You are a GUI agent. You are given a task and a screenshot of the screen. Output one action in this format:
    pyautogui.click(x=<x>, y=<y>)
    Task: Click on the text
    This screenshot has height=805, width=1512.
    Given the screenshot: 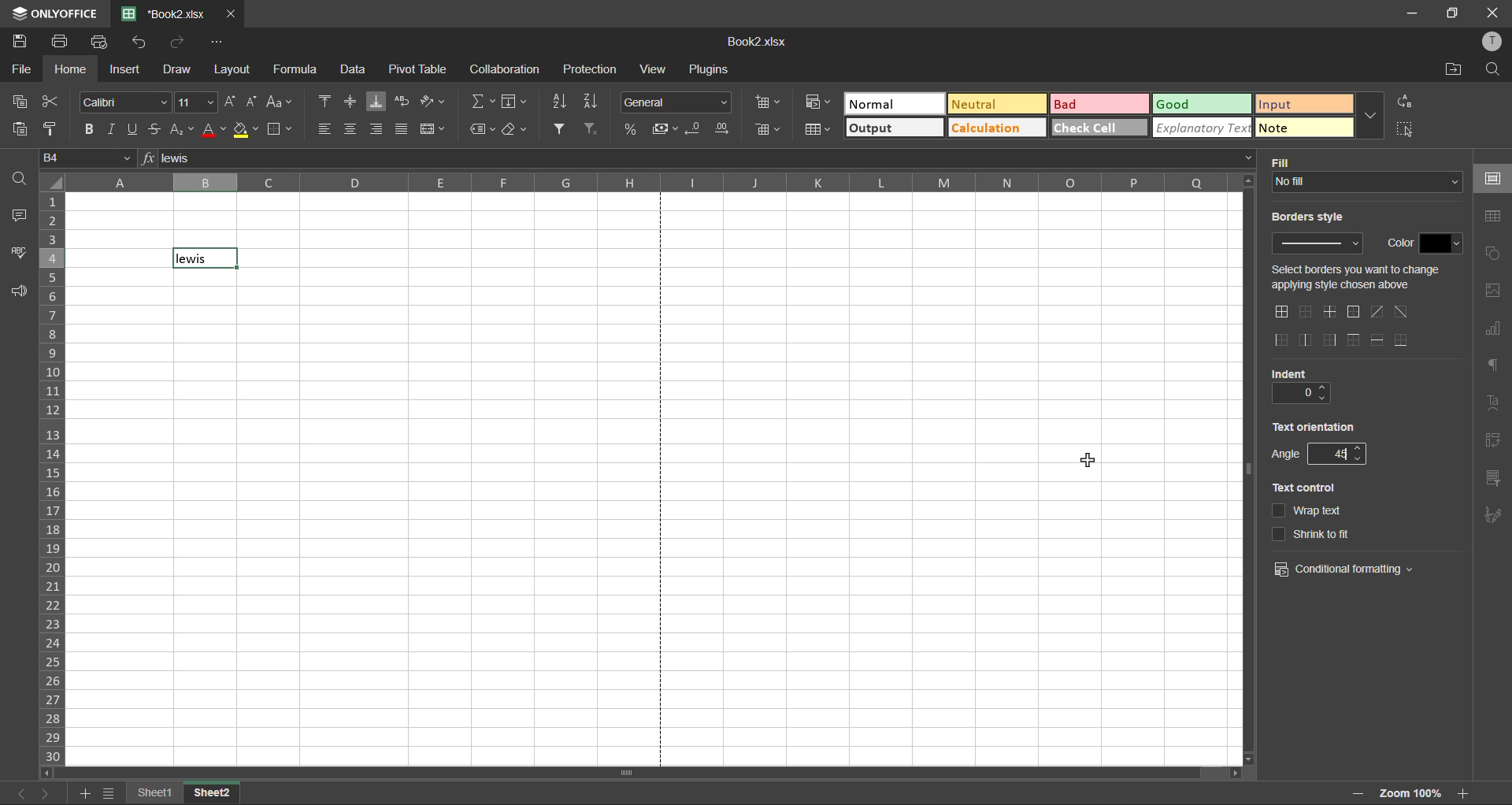 What is the action you would take?
    pyautogui.click(x=1498, y=404)
    